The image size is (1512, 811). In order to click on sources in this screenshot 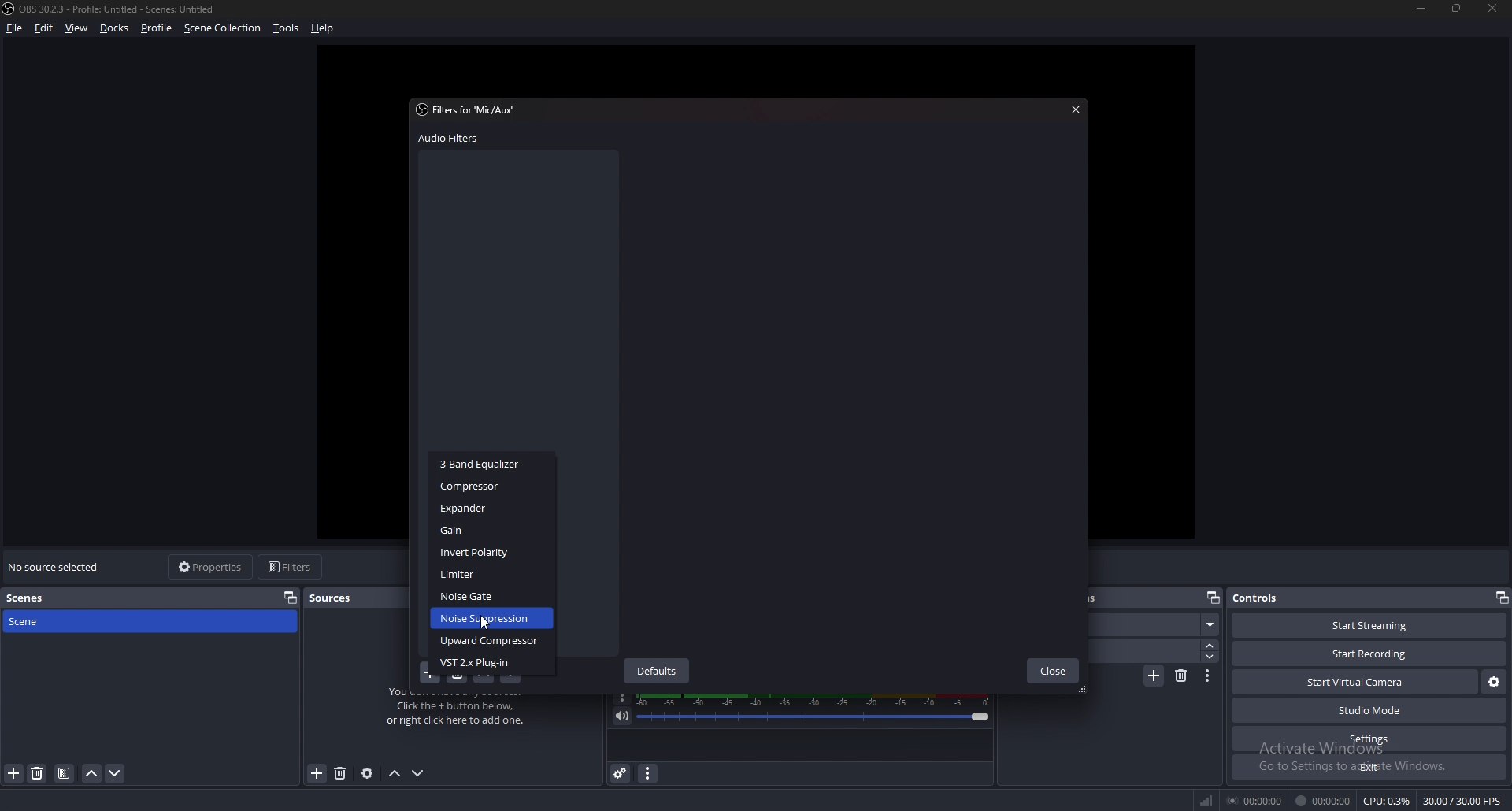, I will do `click(341, 597)`.